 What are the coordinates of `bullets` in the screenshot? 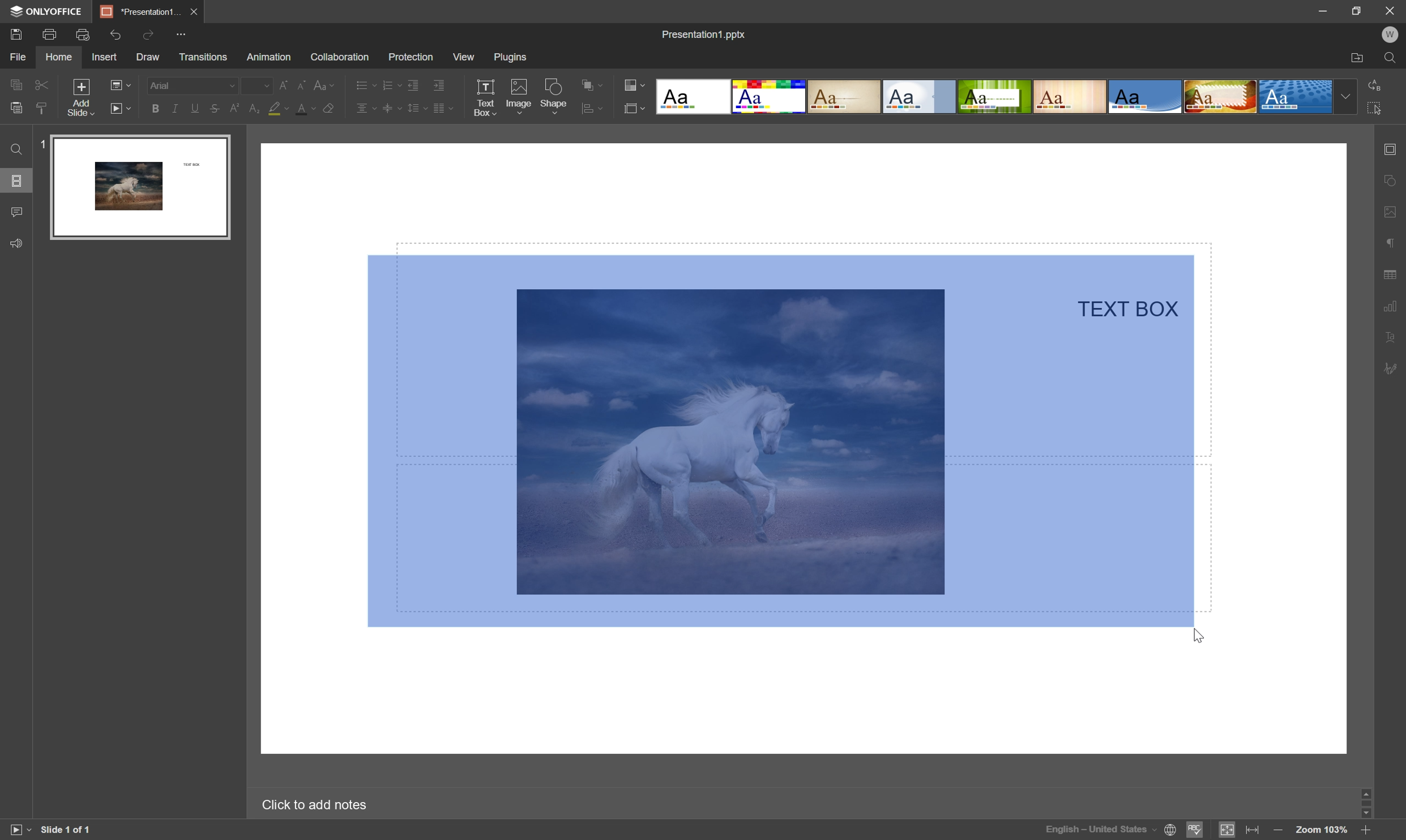 It's located at (364, 84).